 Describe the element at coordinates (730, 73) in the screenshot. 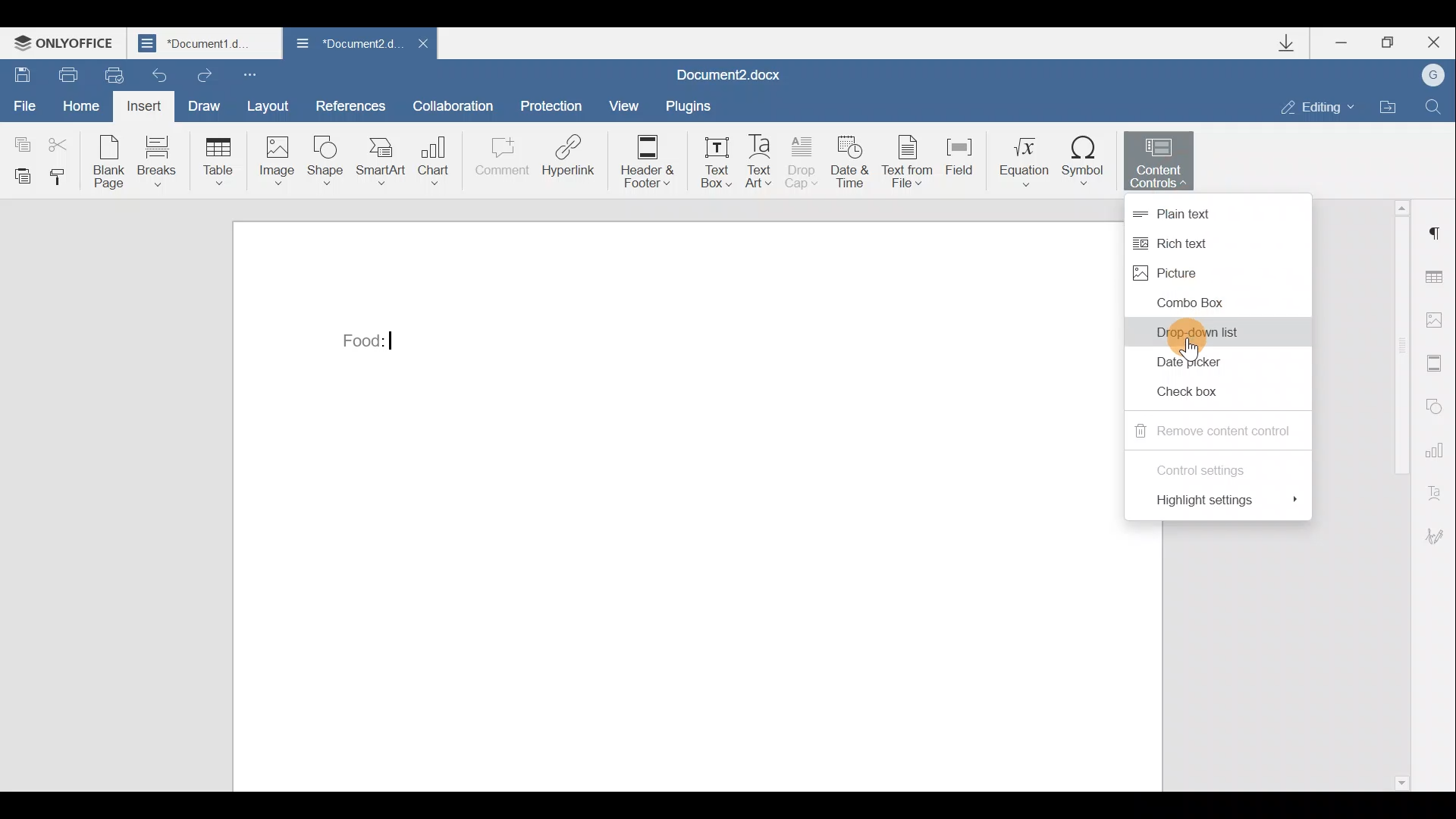

I see `Document2.docx` at that location.